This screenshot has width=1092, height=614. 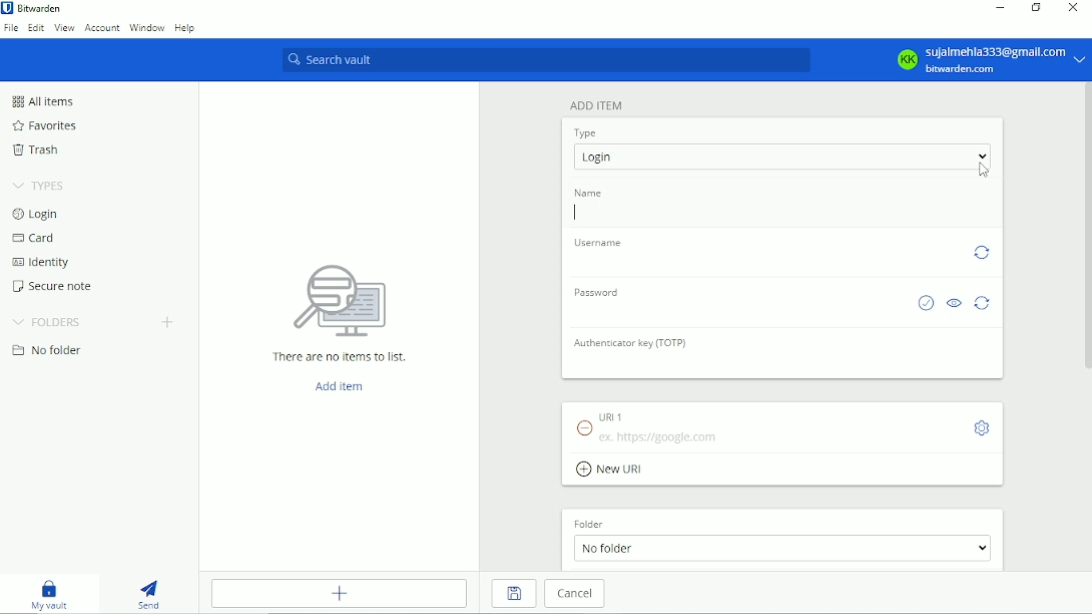 I want to click on Search vault, so click(x=544, y=61).